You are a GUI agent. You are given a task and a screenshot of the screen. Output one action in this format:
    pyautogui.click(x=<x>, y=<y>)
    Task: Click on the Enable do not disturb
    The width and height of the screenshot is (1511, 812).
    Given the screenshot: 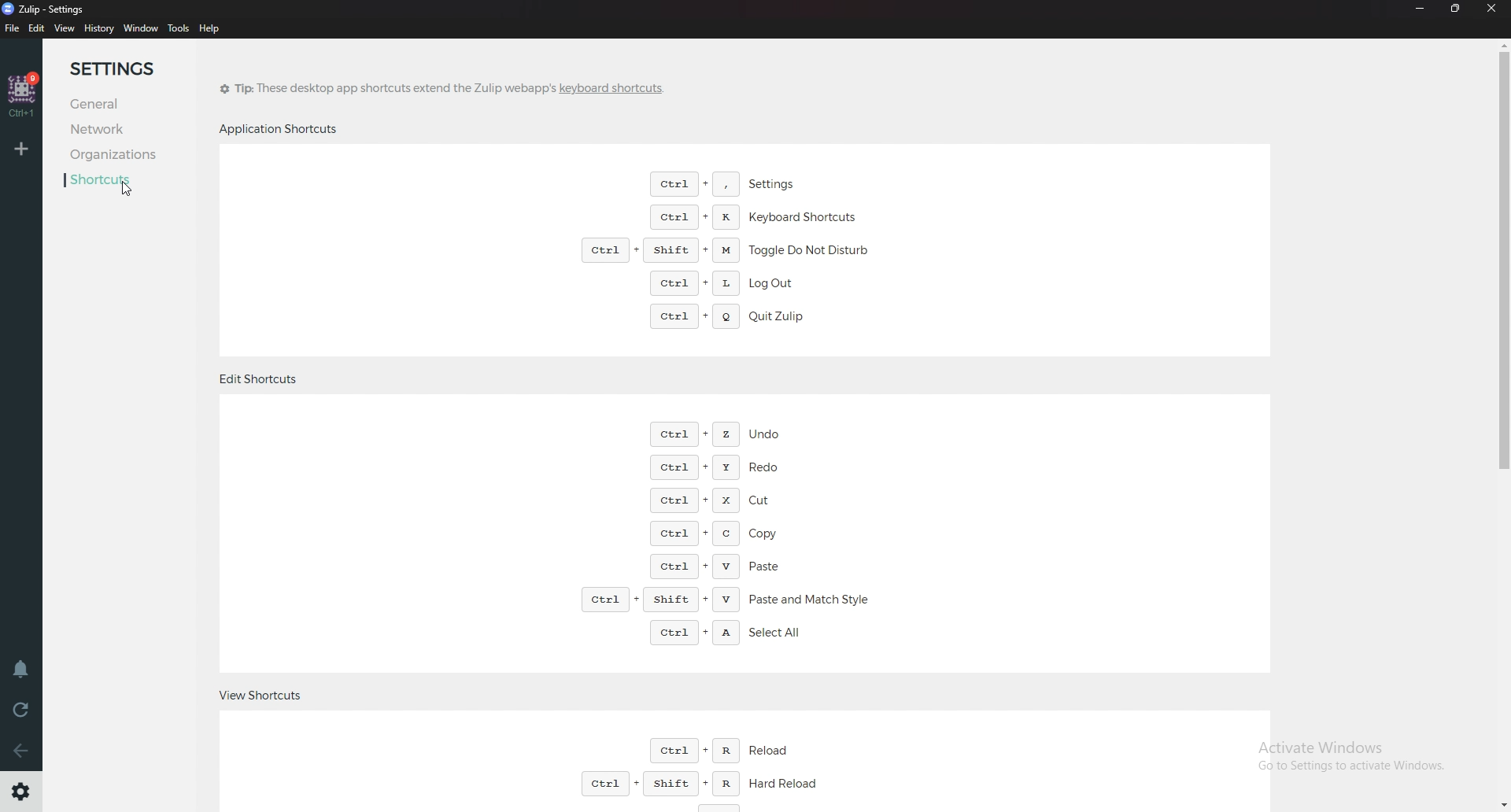 What is the action you would take?
    pyautogui.click(x=20, y=670)
    